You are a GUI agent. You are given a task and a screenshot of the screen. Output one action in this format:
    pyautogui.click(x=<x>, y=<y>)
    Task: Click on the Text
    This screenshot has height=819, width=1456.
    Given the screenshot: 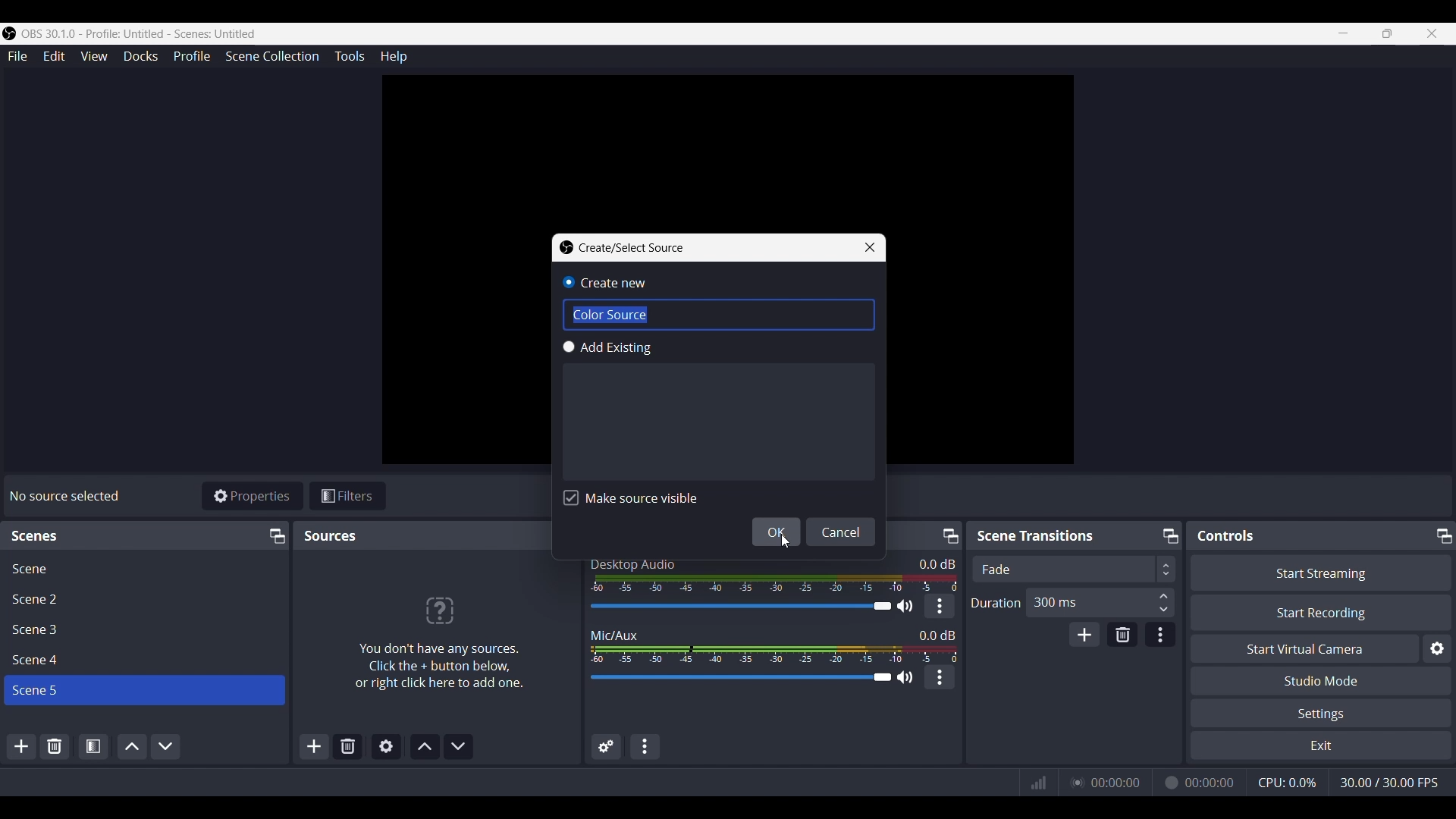 What is the action you would take?
    pyautogui.click(x=438, y=636)
    